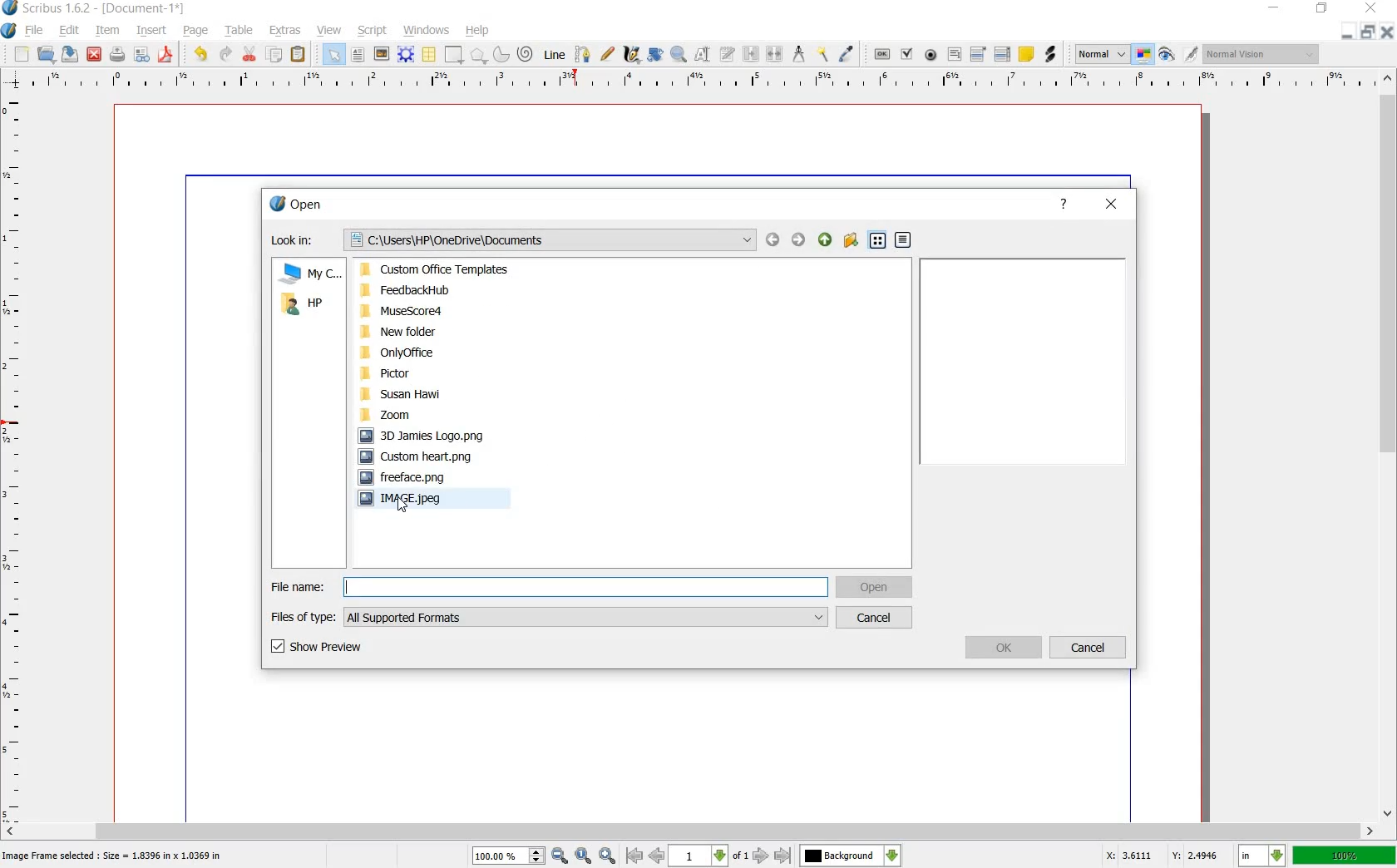 Image resolution: width=1397 pixels, height=868 pixels. What do you see at coordinates (248, 55) in the screenshot?
I see `cut` at bounding box center [248, 55].